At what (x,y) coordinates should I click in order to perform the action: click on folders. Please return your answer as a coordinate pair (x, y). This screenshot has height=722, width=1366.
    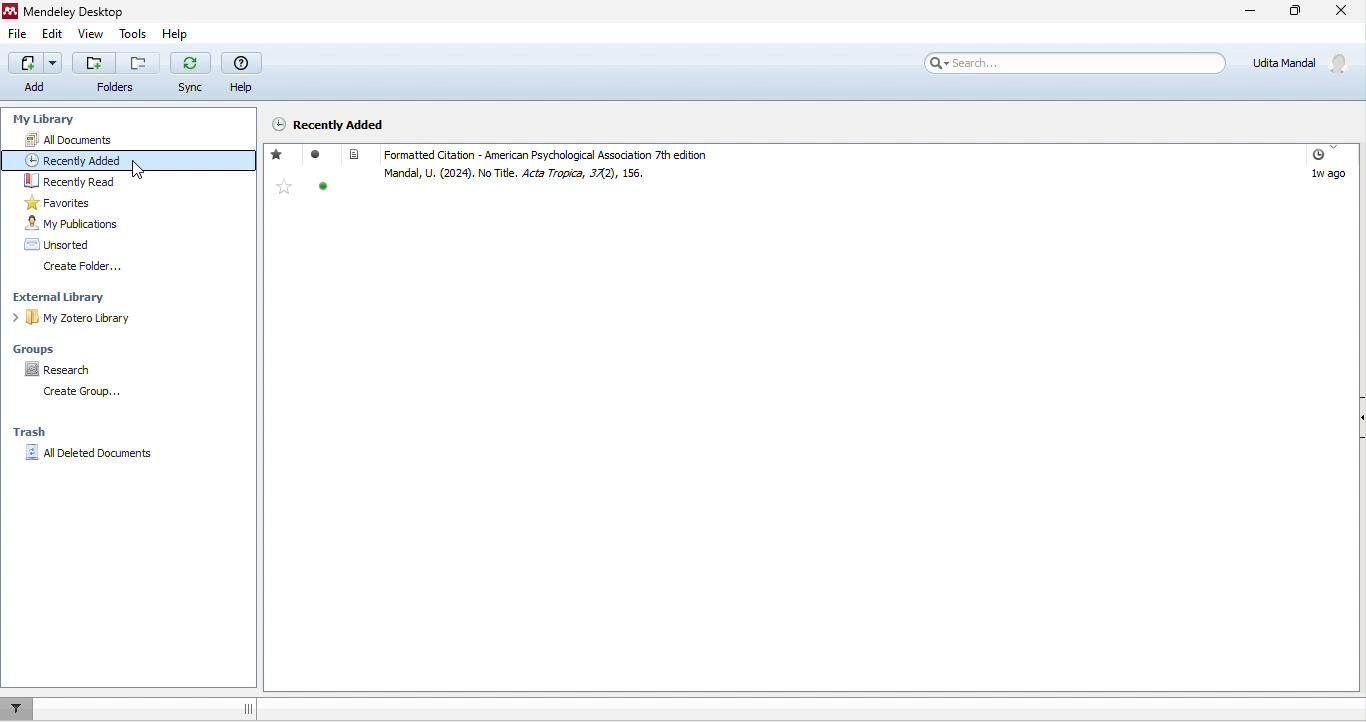
    Looking at the image, I should click on (117, 75).